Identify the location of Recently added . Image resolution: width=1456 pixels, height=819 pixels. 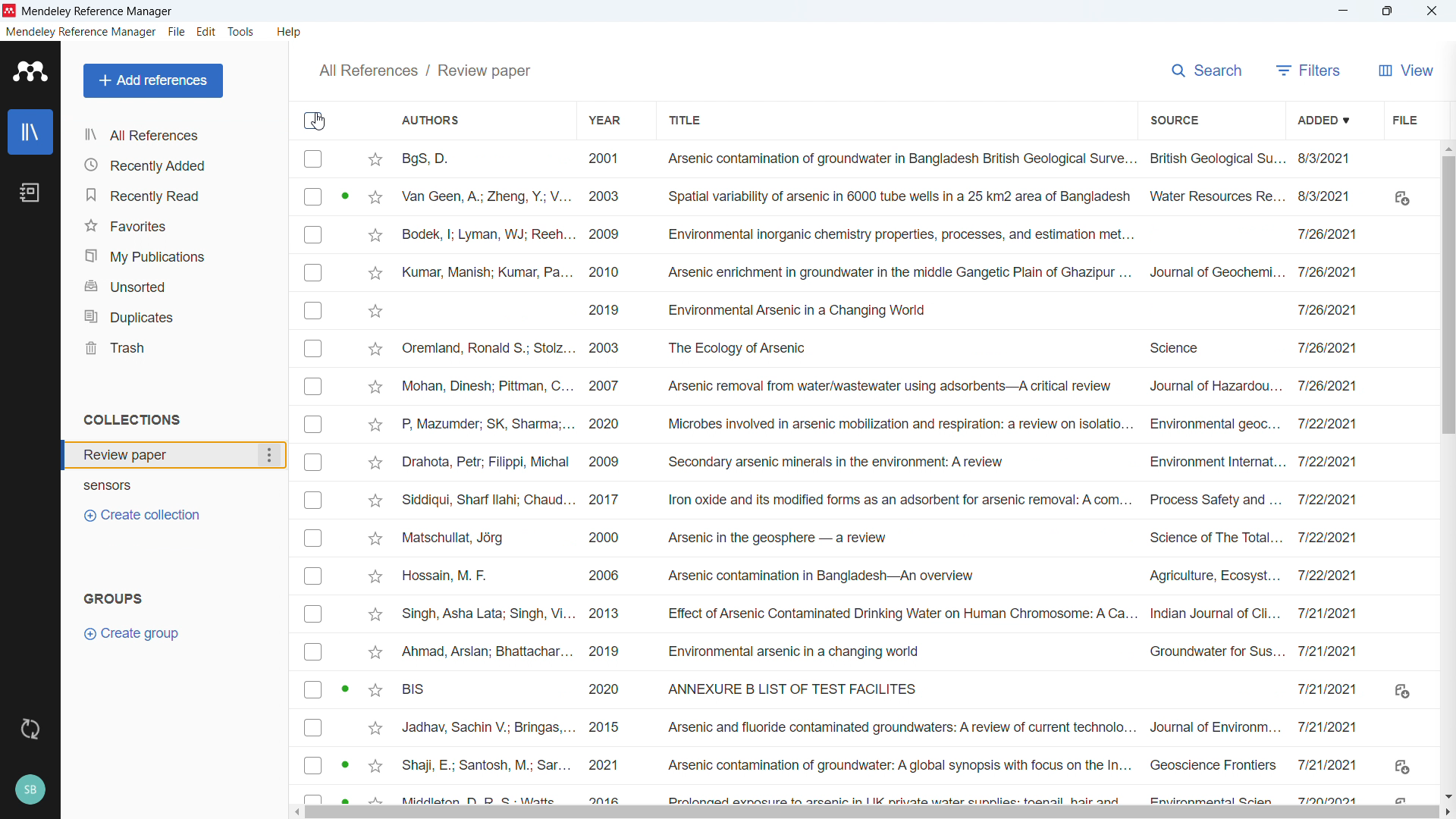
(174, 165).